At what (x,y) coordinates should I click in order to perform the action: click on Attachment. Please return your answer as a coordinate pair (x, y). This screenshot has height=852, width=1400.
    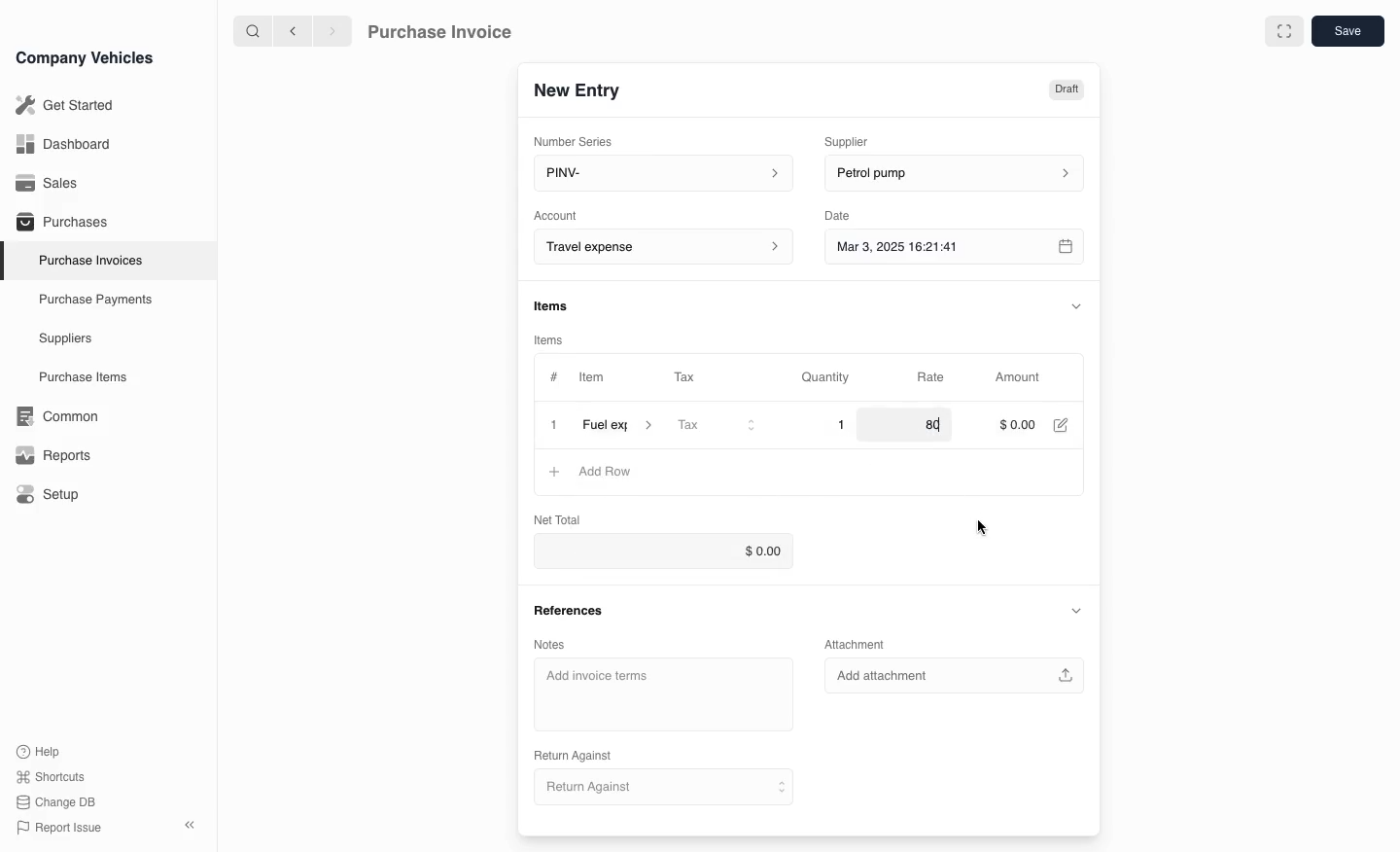
    Looking at the image, I should click on (857, 644).